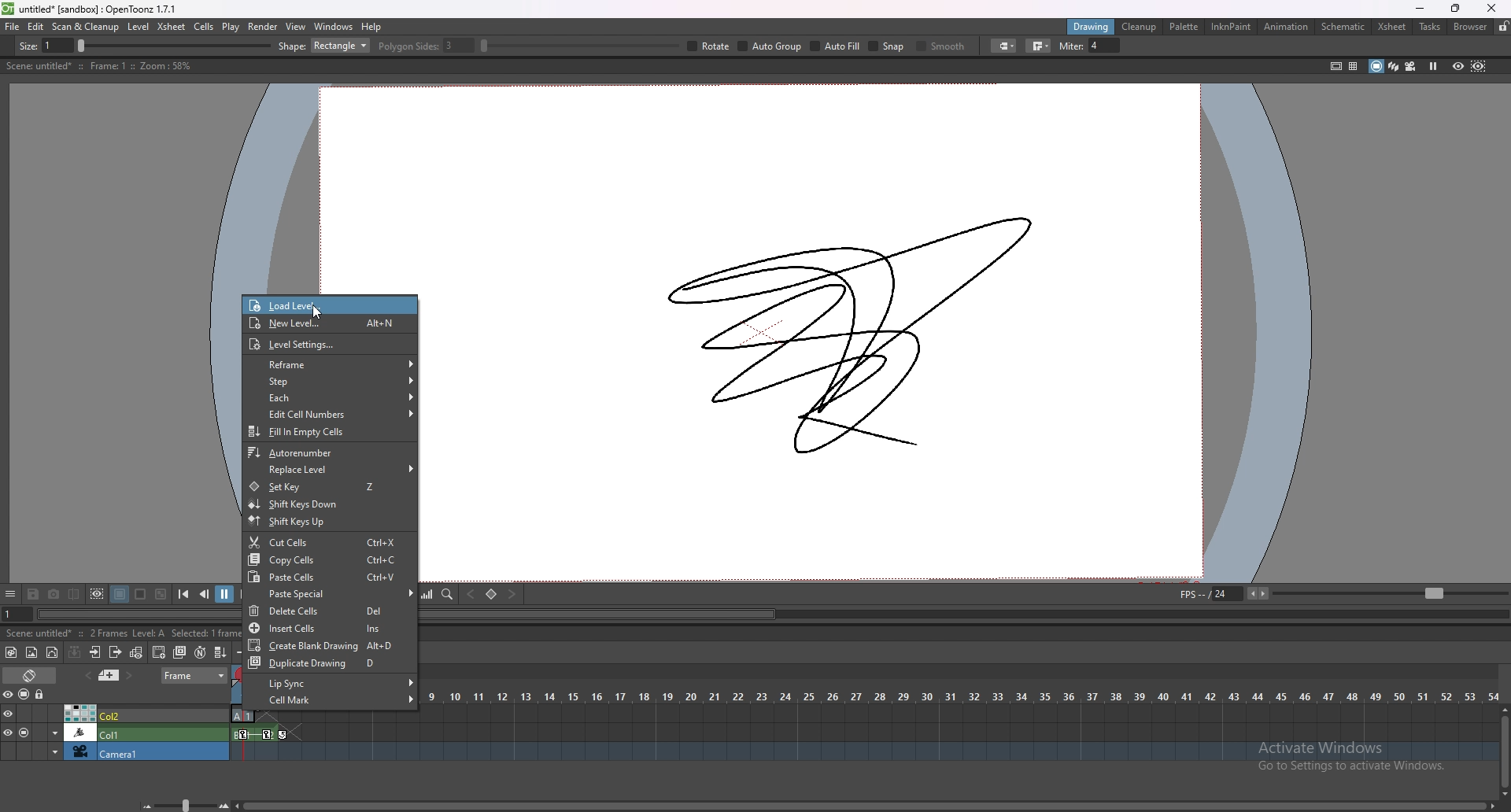  Describe the element at coordinates (36, 26) in the screenshot. I see `edit` at that location.